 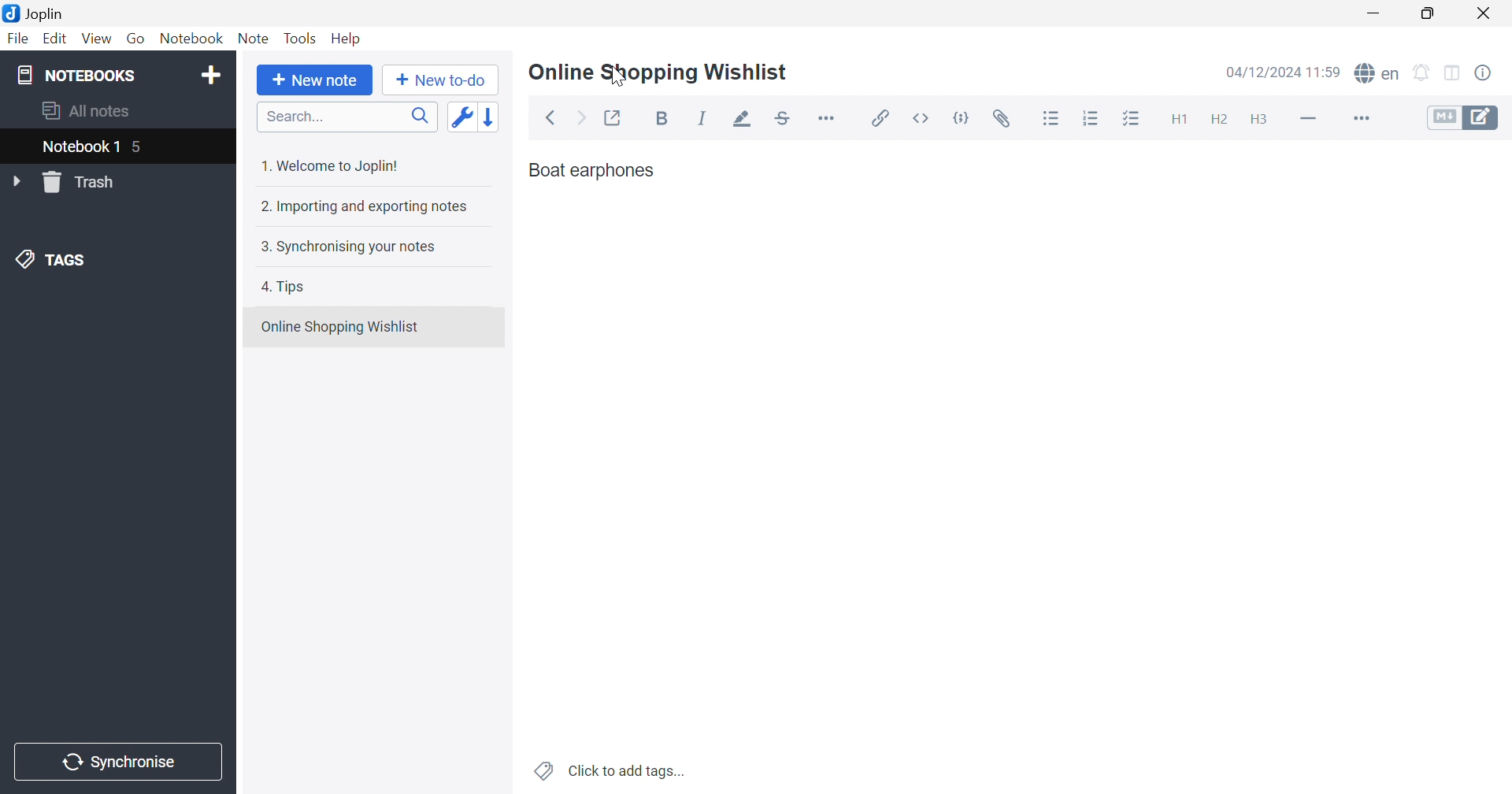 What do you see at coordinates (1221, 121) in the screenshot?
I see `Heading 2` at bounding box center [1221, 121].